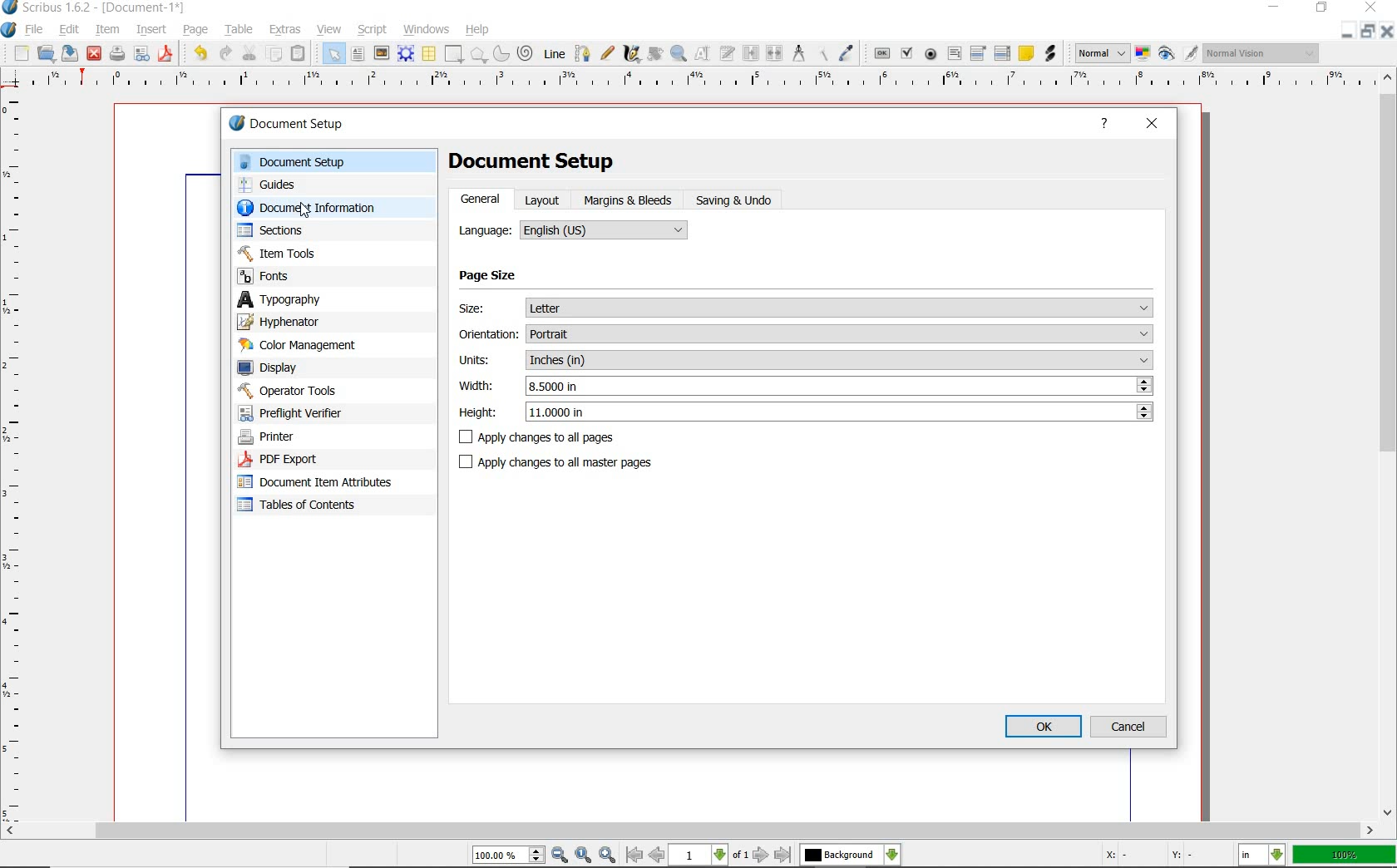  I want to click on pdf combo box, so click(979, 54).